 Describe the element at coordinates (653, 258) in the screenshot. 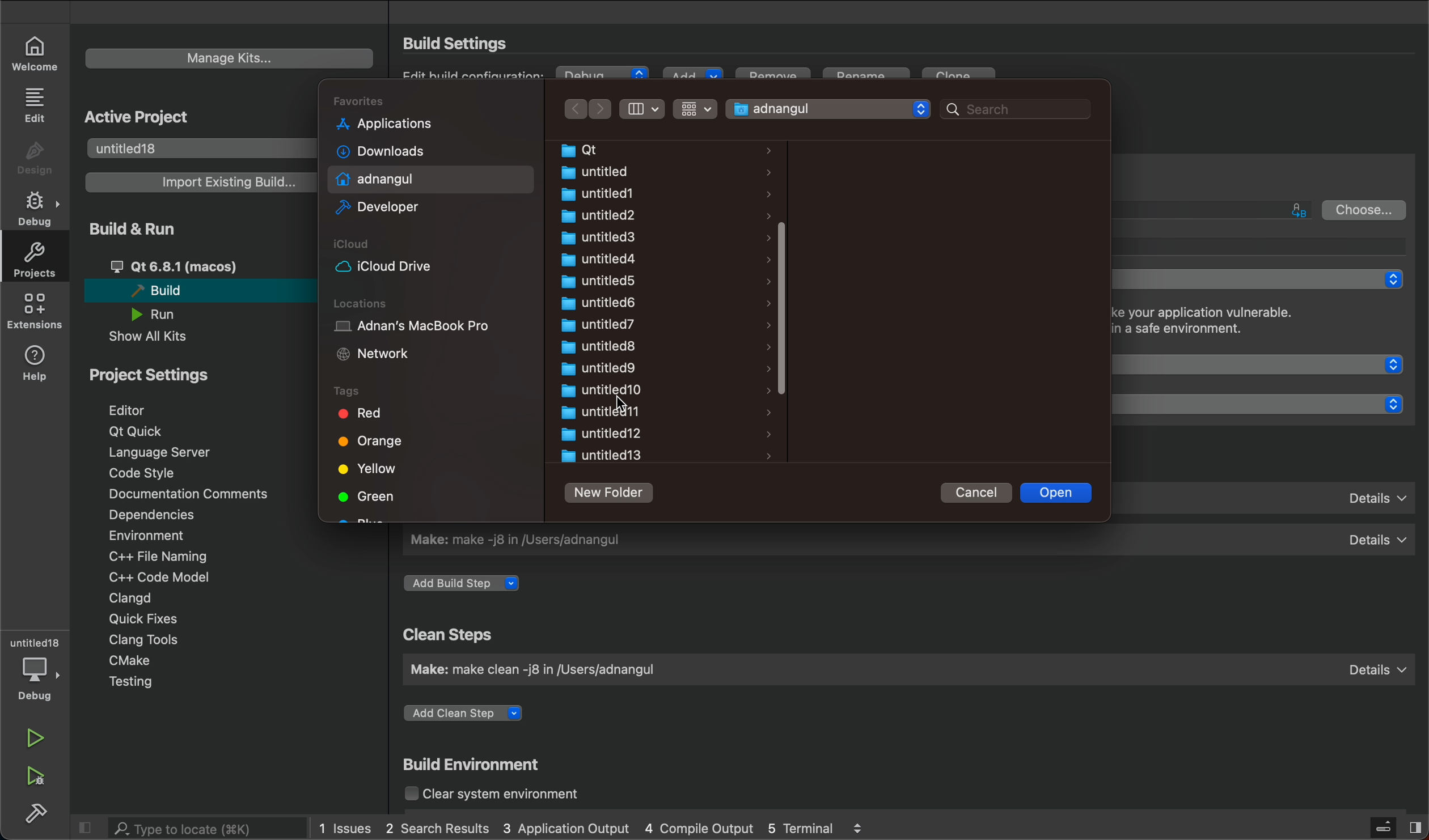

I see `untitled4` at that location.